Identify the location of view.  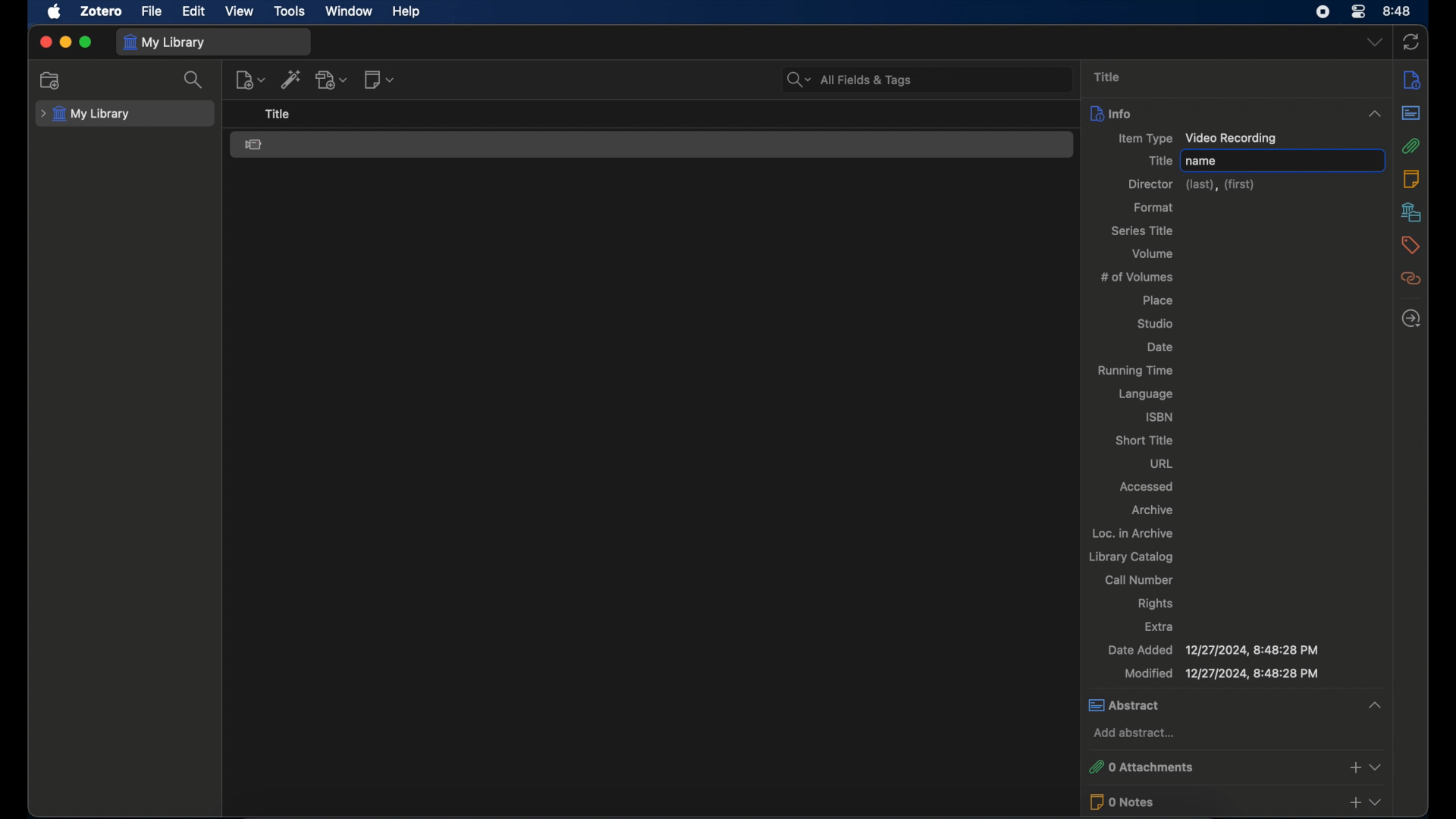
(238, 11).